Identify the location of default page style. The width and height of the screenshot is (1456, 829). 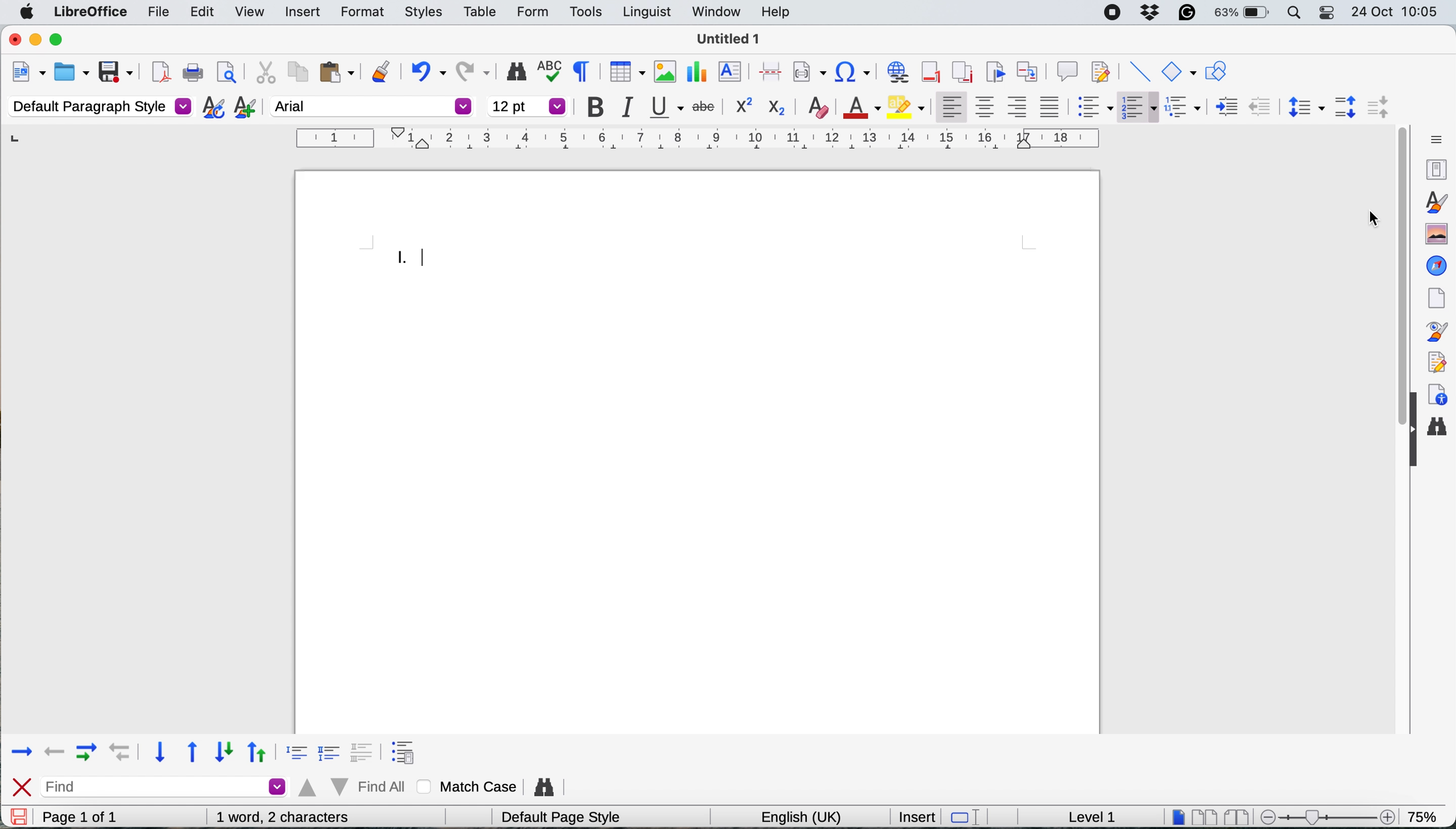
(567, 818).